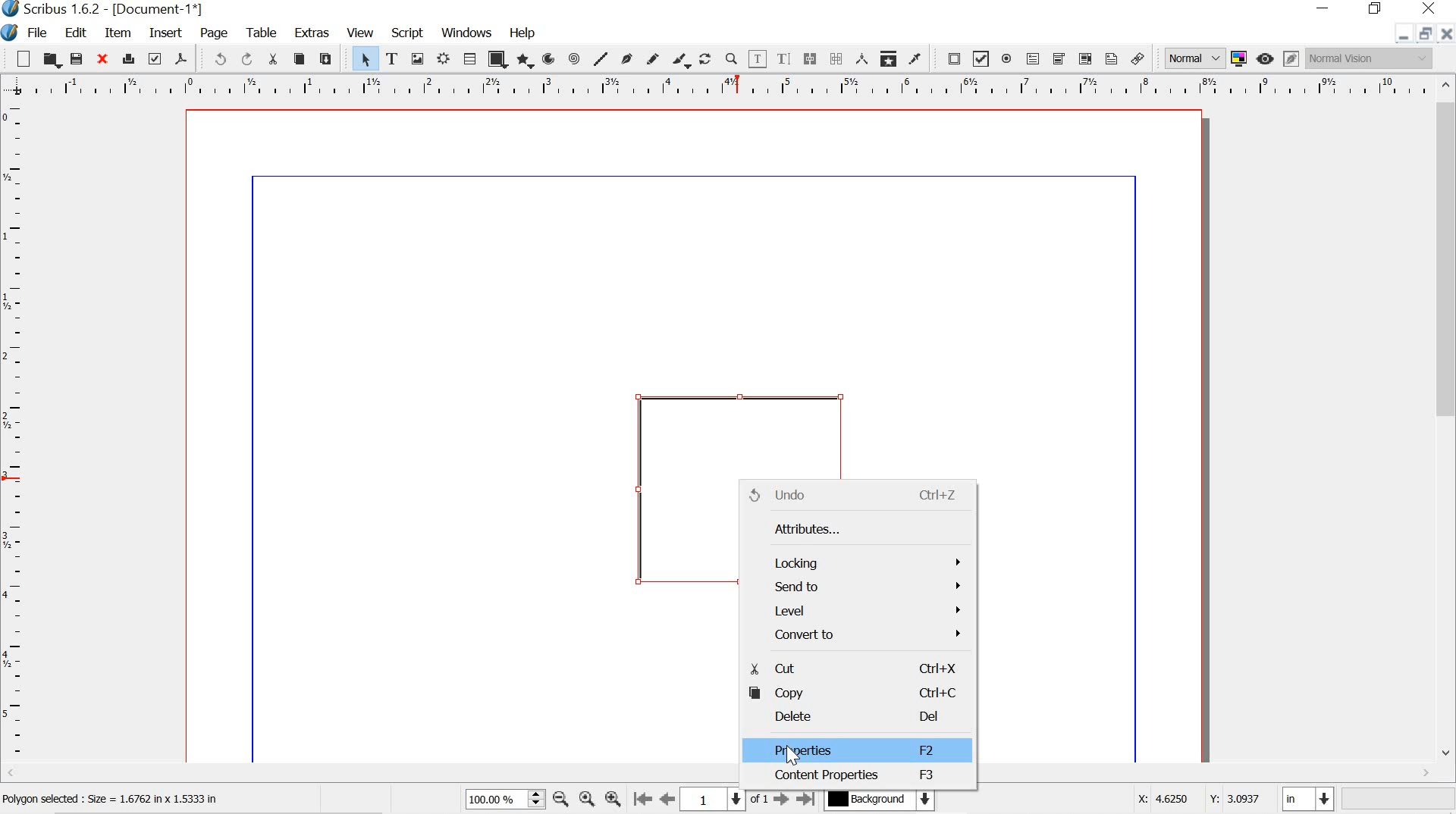 Image resolution: width=1456 pixels, height=814 pixels. I want to click on pdf list box, so click(1084, 58).